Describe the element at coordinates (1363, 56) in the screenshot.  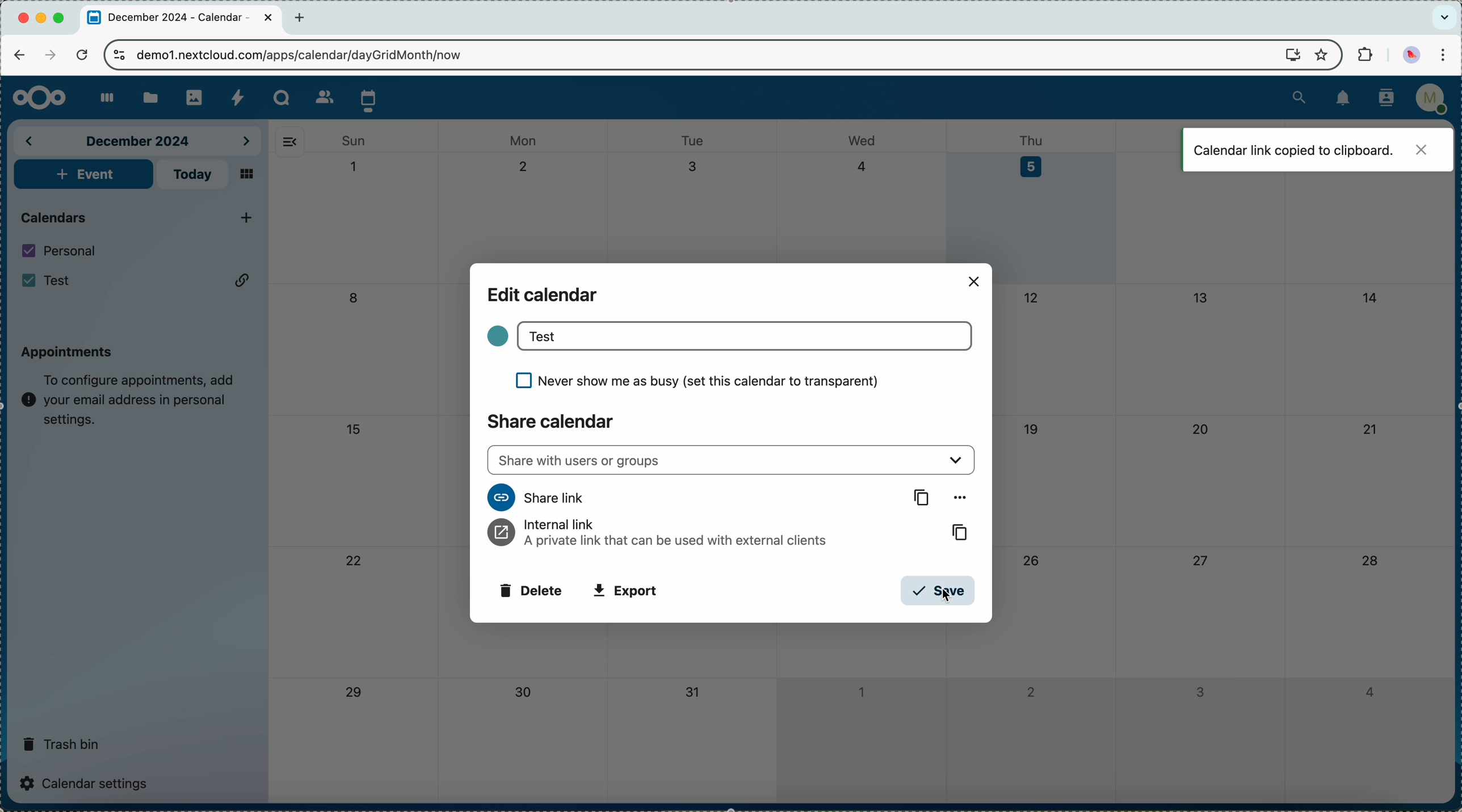
I see `extensions` at that location.